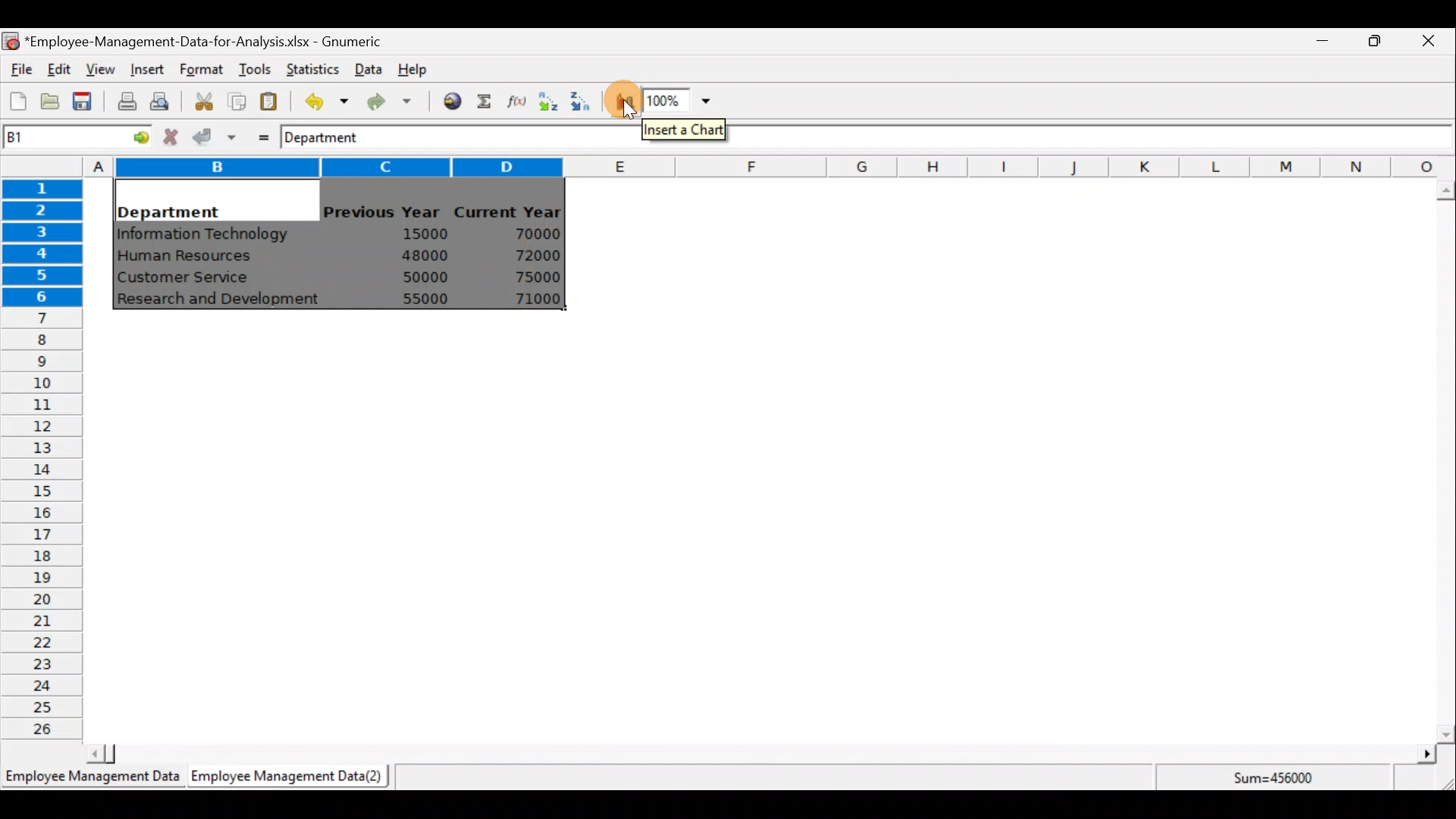  What do you see at coordinates (1282, 780) in the screenshot?
I see `Sum=456000` at bounding box center [1282, 780].